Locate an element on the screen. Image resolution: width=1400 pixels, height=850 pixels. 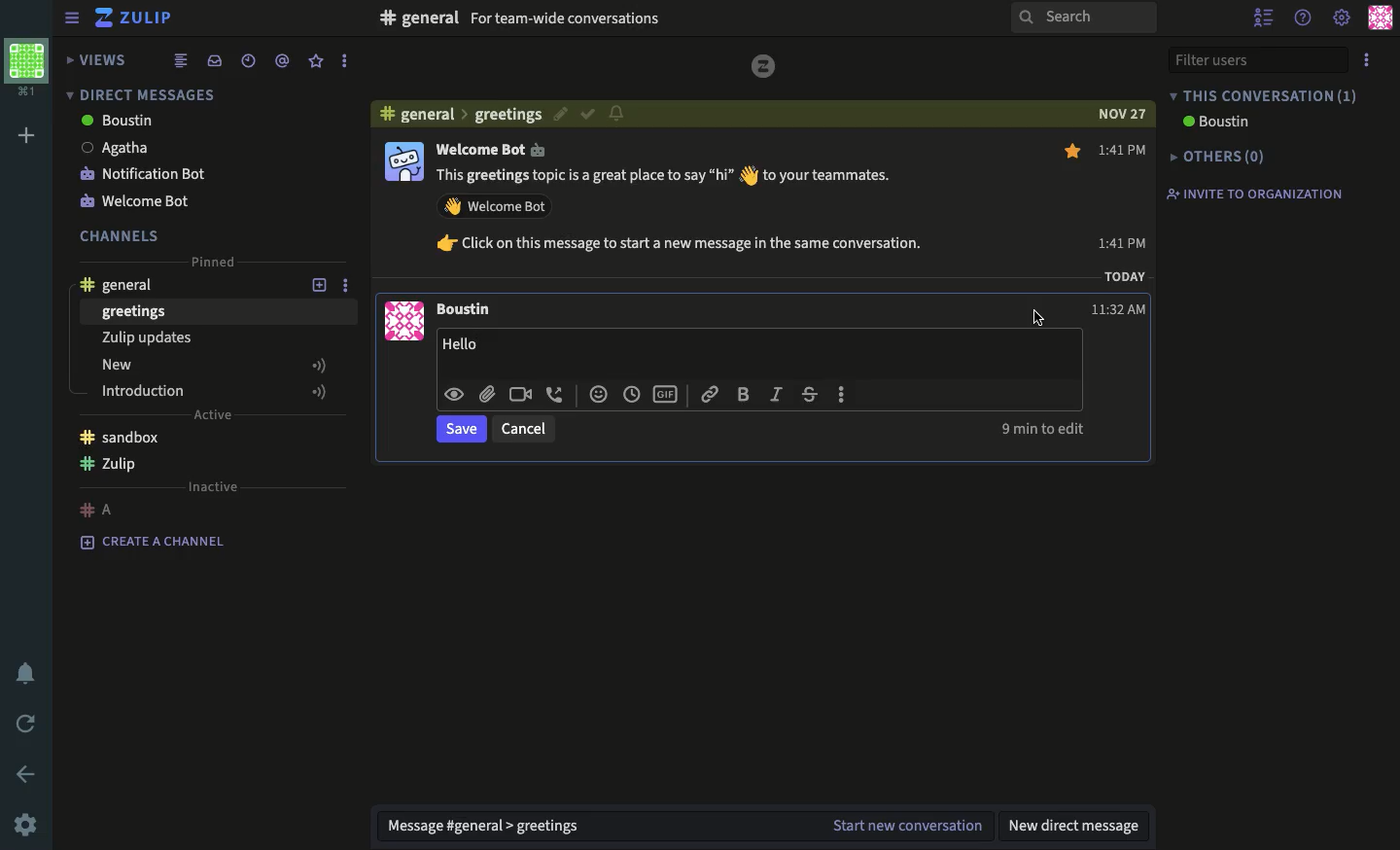
invite to organization is located at coordinates (1256, 193).